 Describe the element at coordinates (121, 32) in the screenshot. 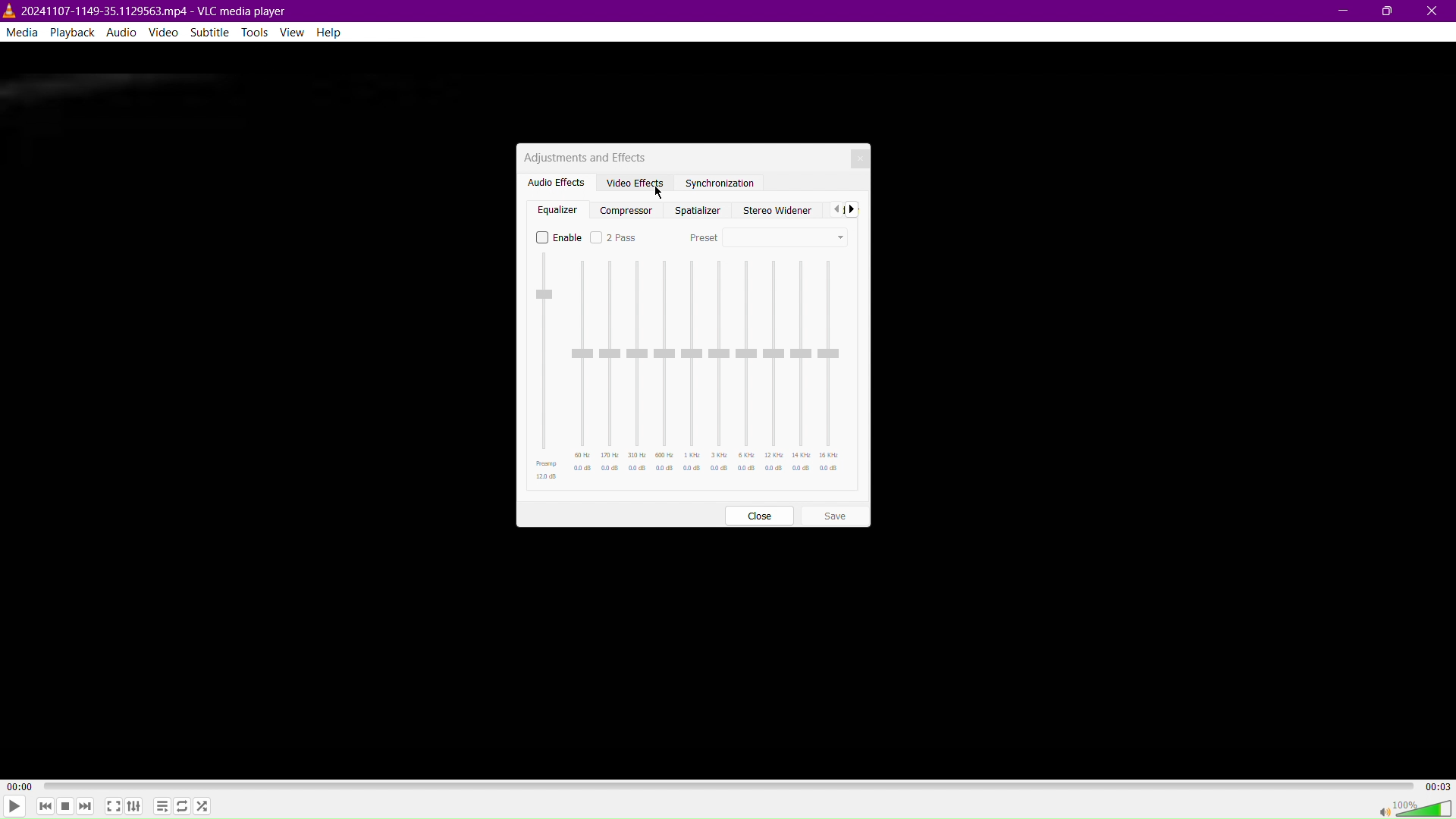

I see `Audio` at that location.